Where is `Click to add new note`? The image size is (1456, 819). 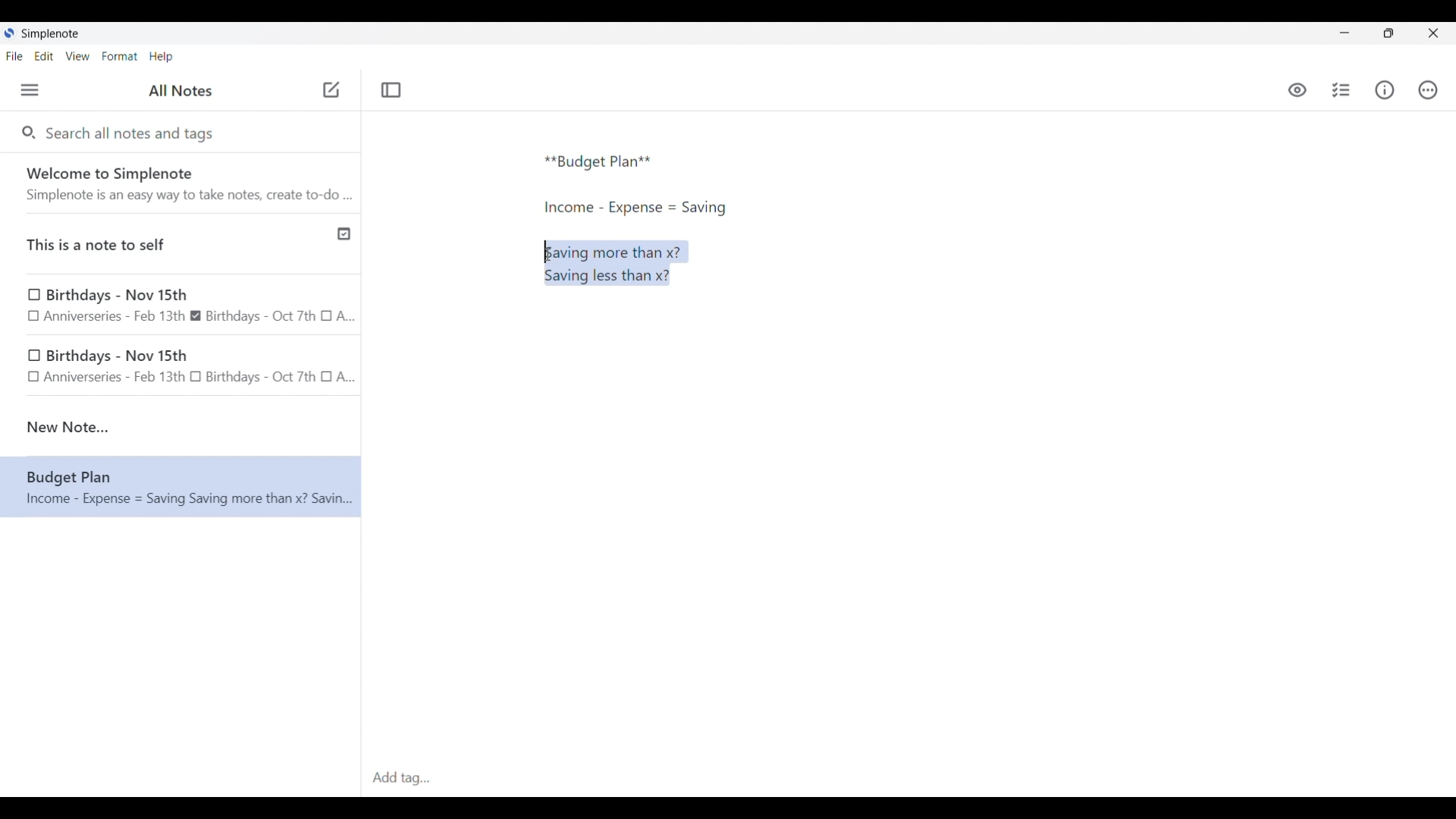
Click to add new note is located at coordinates (331, 89).